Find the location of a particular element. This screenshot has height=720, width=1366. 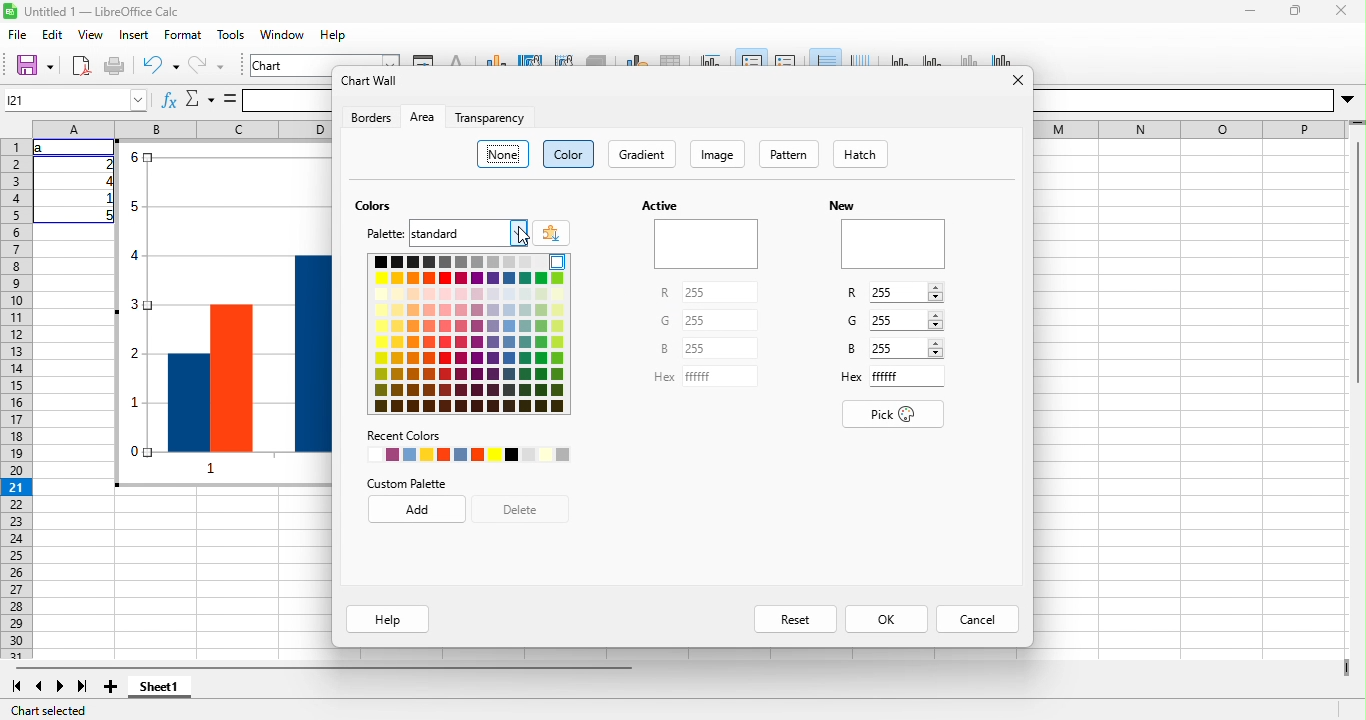

horizontal grids is located at coordinates (825, 57).